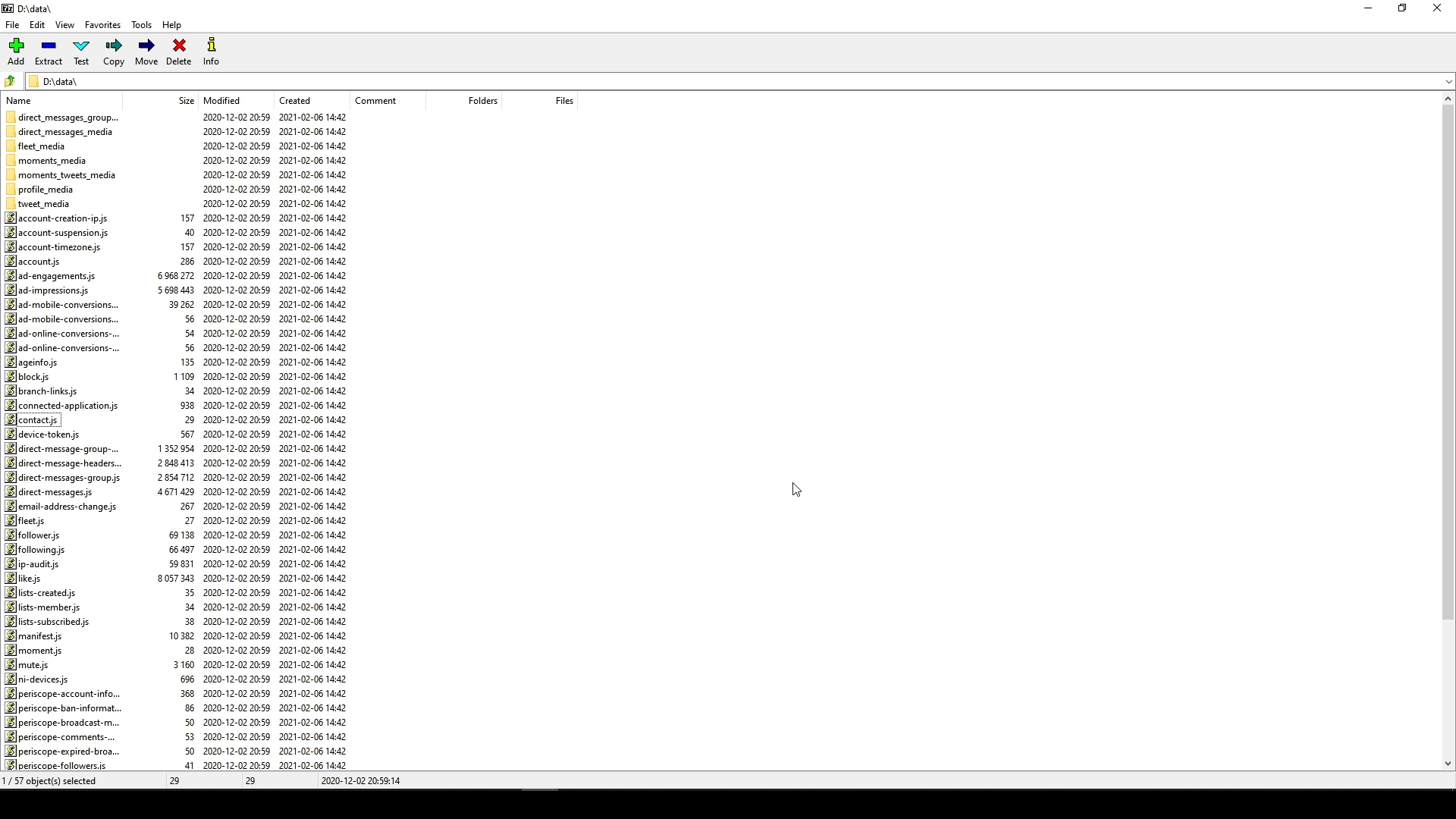 The width and height of the screenshot is (1456, 819). I want to click on direct_messages_group, so click(64, 115).